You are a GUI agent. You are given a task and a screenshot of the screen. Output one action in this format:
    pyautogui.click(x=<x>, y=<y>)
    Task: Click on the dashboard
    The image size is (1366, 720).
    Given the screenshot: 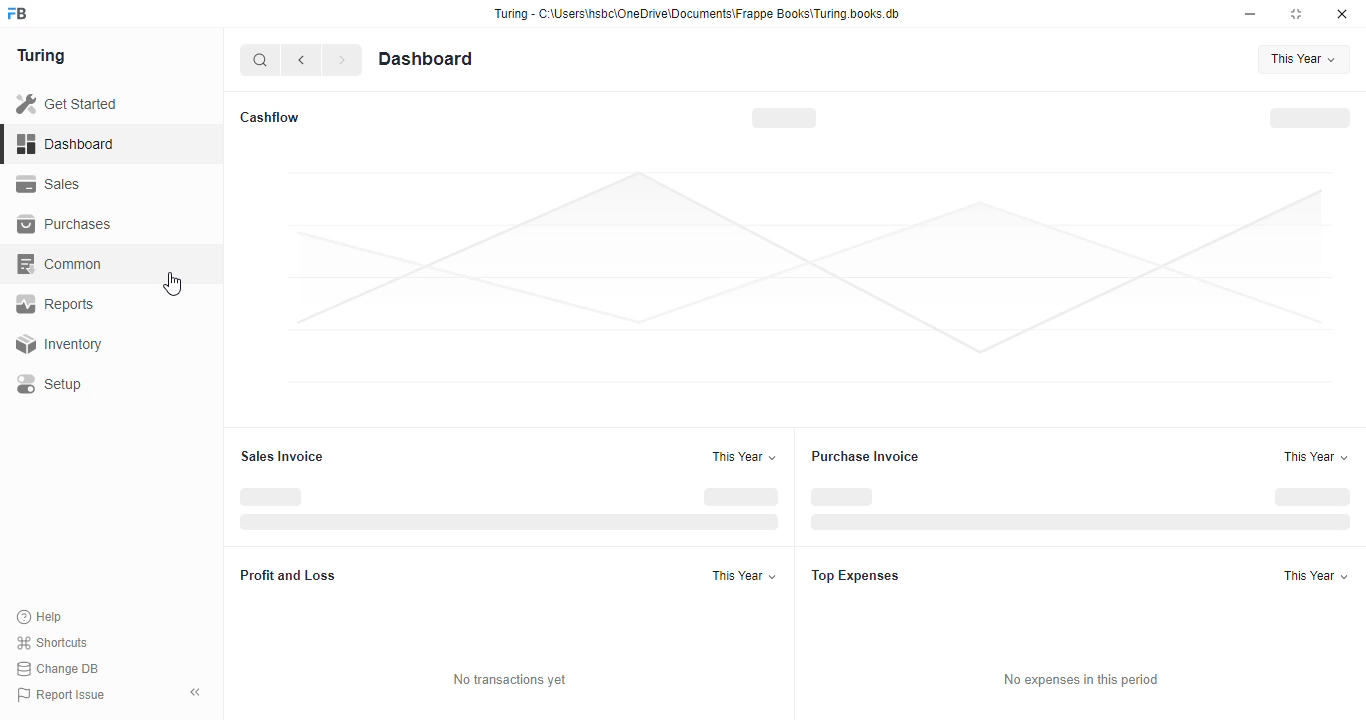 What is the action you would take?
    pyautogui.click(x=426, y=58)
    